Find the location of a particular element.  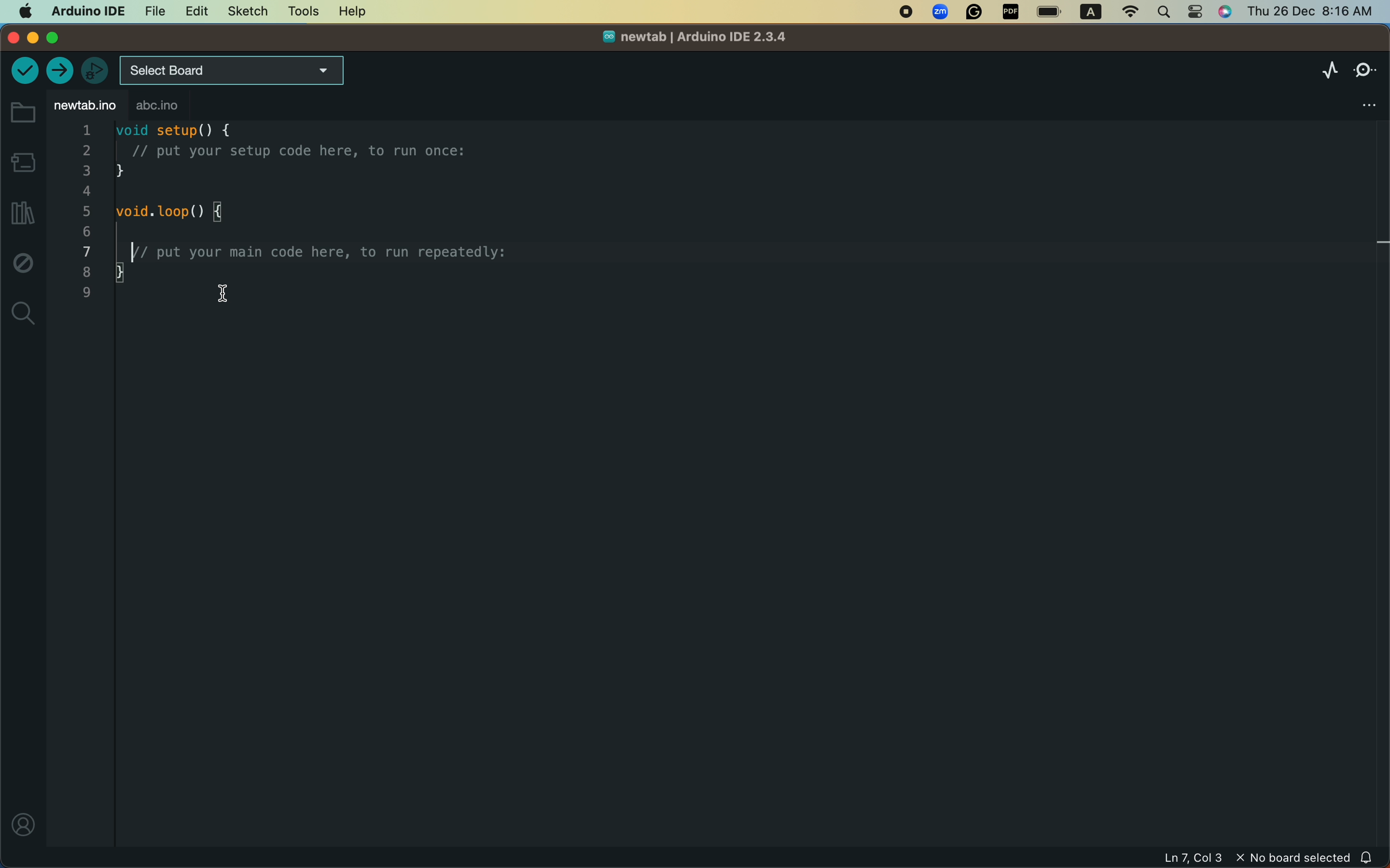

edit is located at coordinates (192, 13).